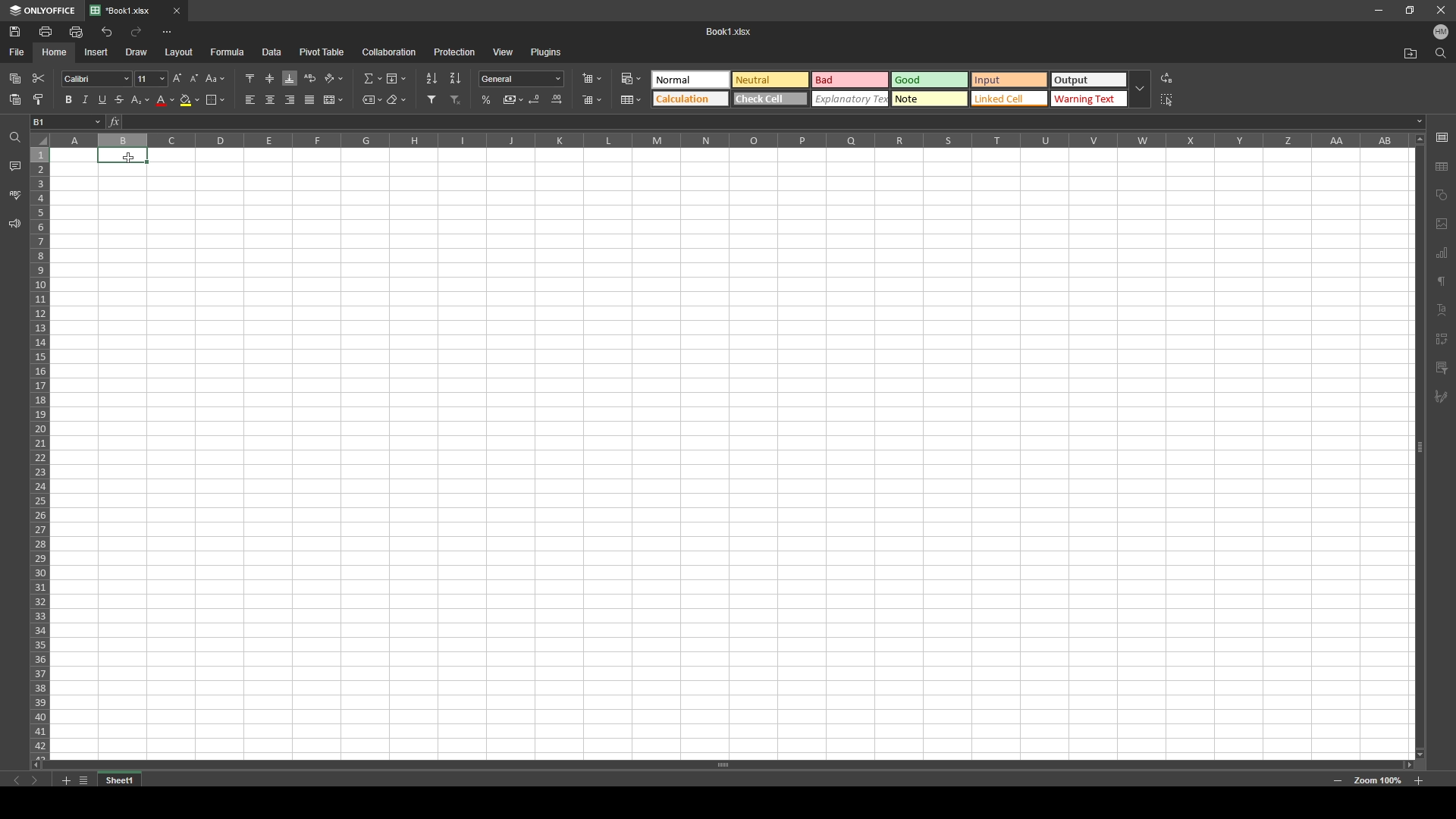 This screenshot has width=1456, height=819. What do you see at coordinates (729, 141) in the screenshot?
I see `column` at bounding box center [729, 141].